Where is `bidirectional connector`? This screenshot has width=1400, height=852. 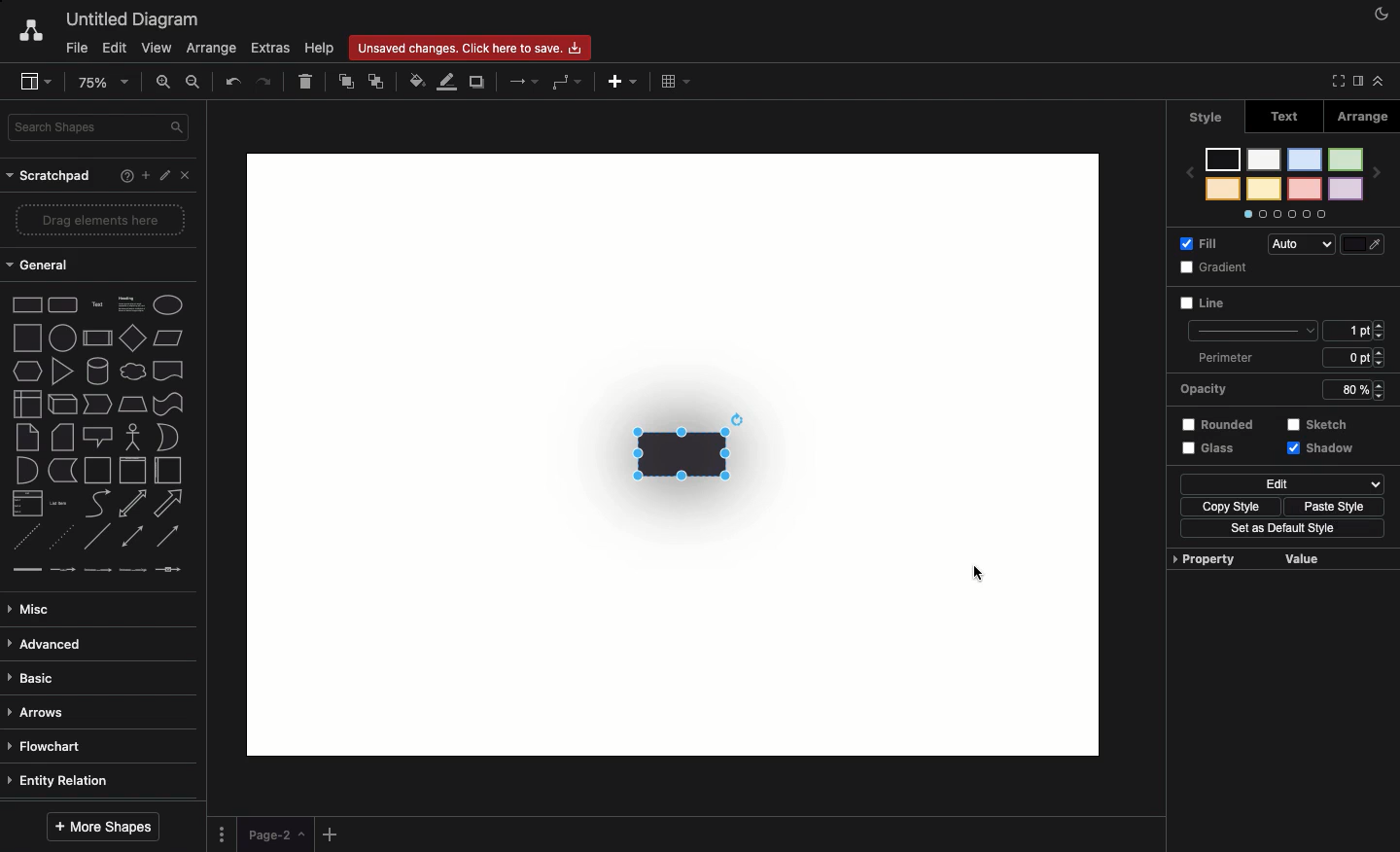 bidirectional connector is located at coordinates (132, 534).